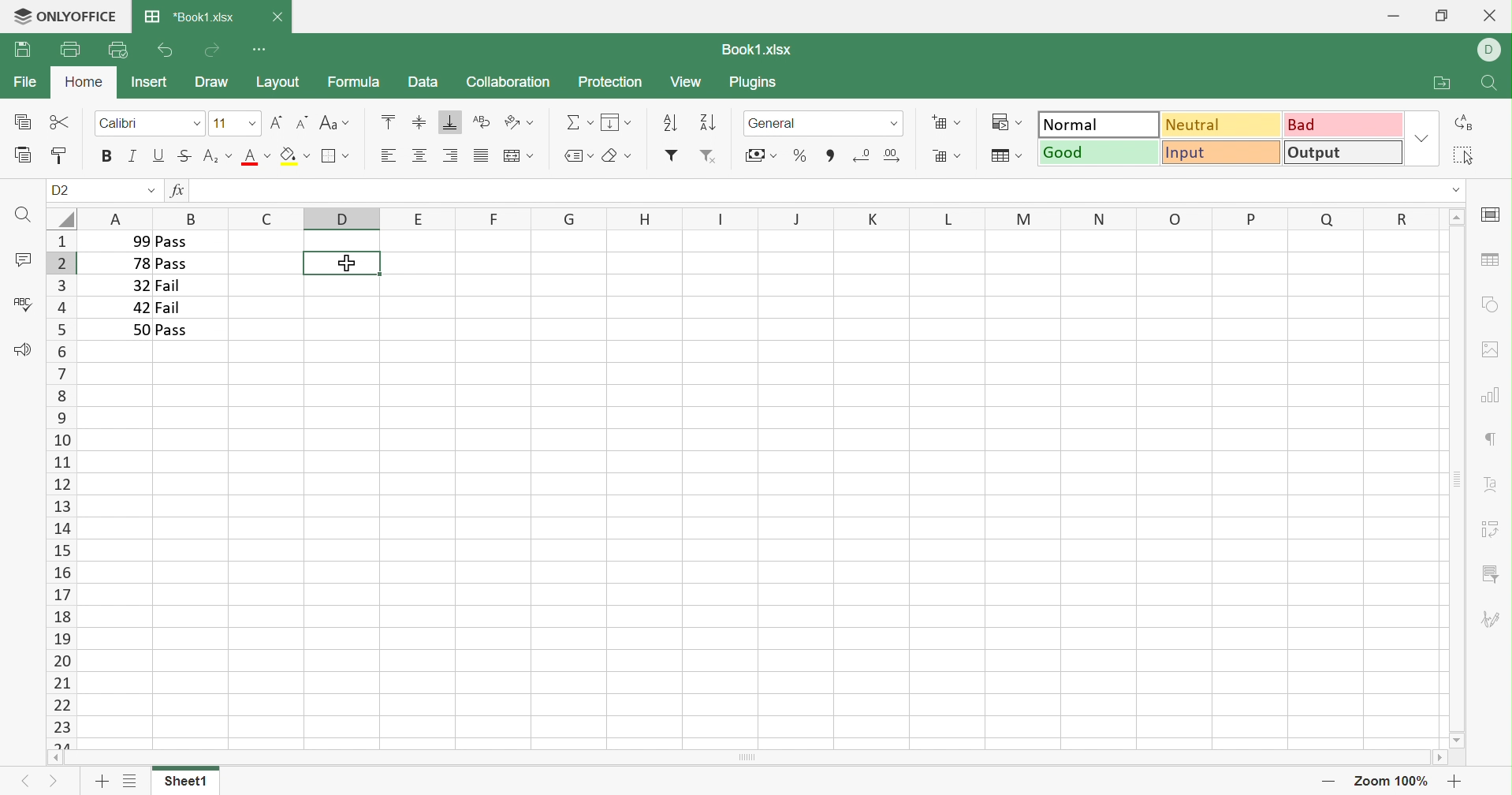 Image resolution: width=1512 pixels, height=795 pixels. What do you see at coordinates (148, 81) in the screenshot?
I see `Insert` at bounding box center [148, 81].